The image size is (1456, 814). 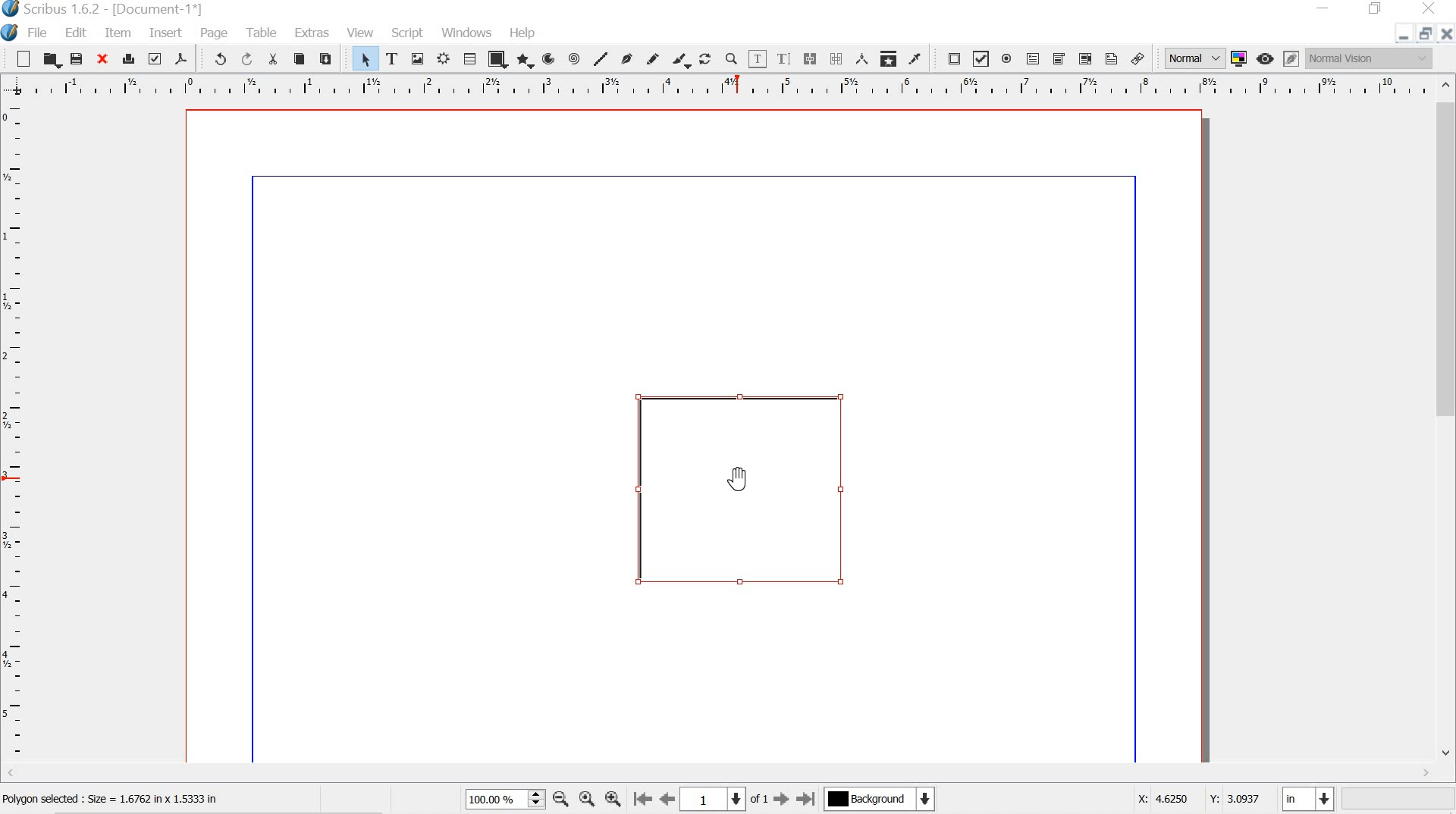 What do you see at coordinates (1325, 7) in the screenshot?
I see `MINIMIZE` at bounding box center [1325, 7].